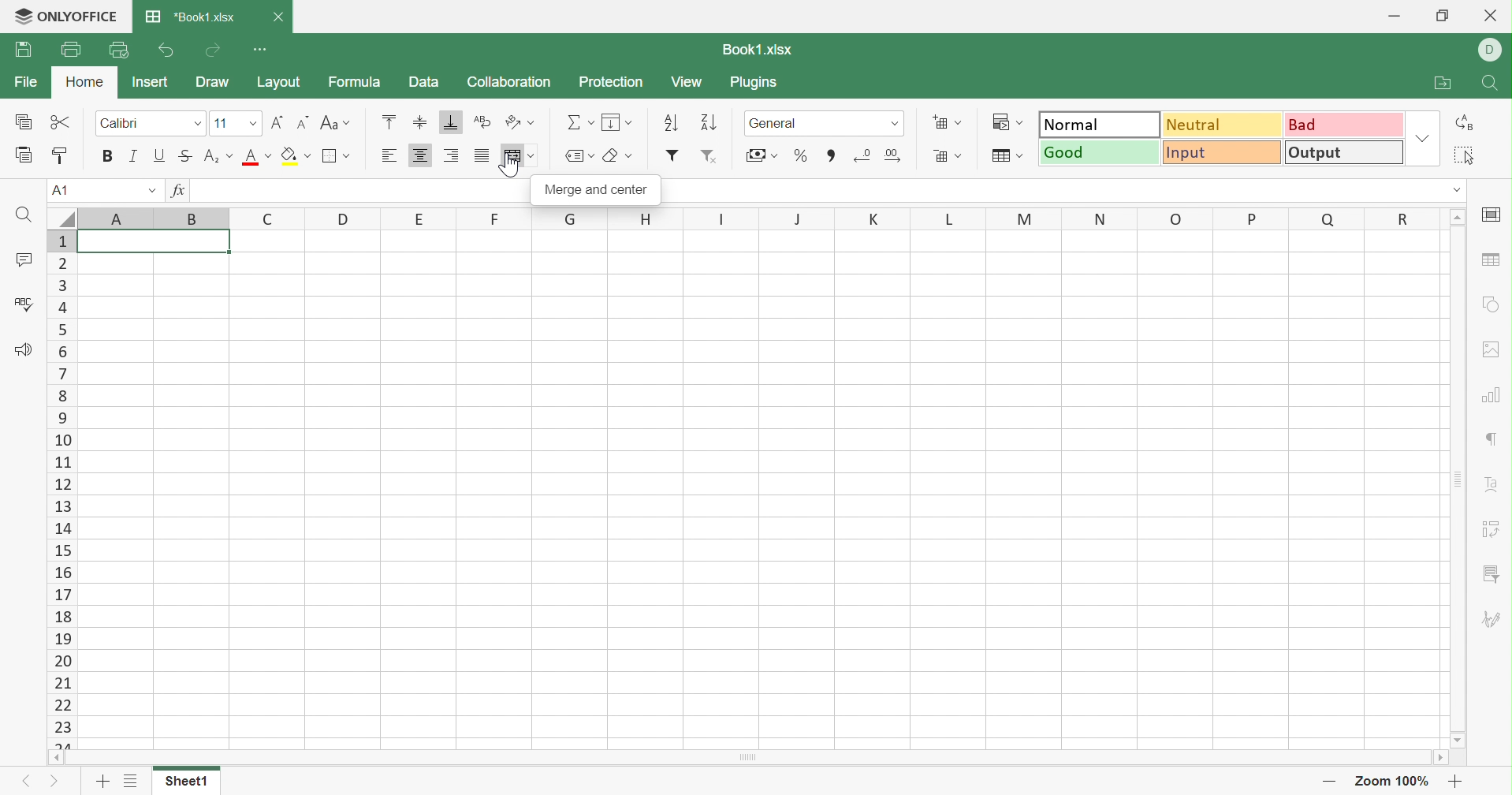 The width and height of the screenshot is (1512, 795). I want to click on Select all, so click(1465, 155).